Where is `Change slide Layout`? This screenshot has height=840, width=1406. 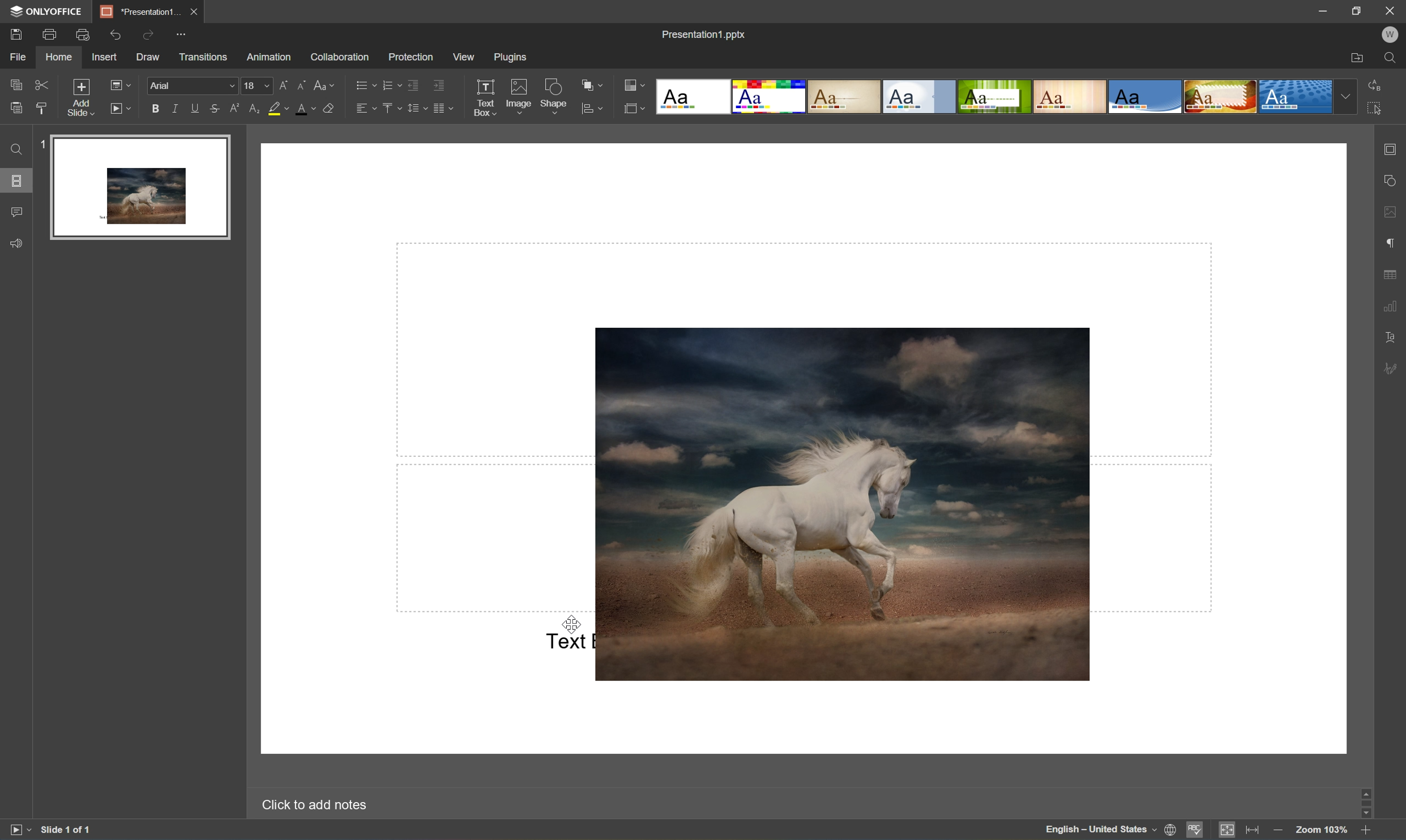 Change slide Layout is located at coordinates (119, 87).